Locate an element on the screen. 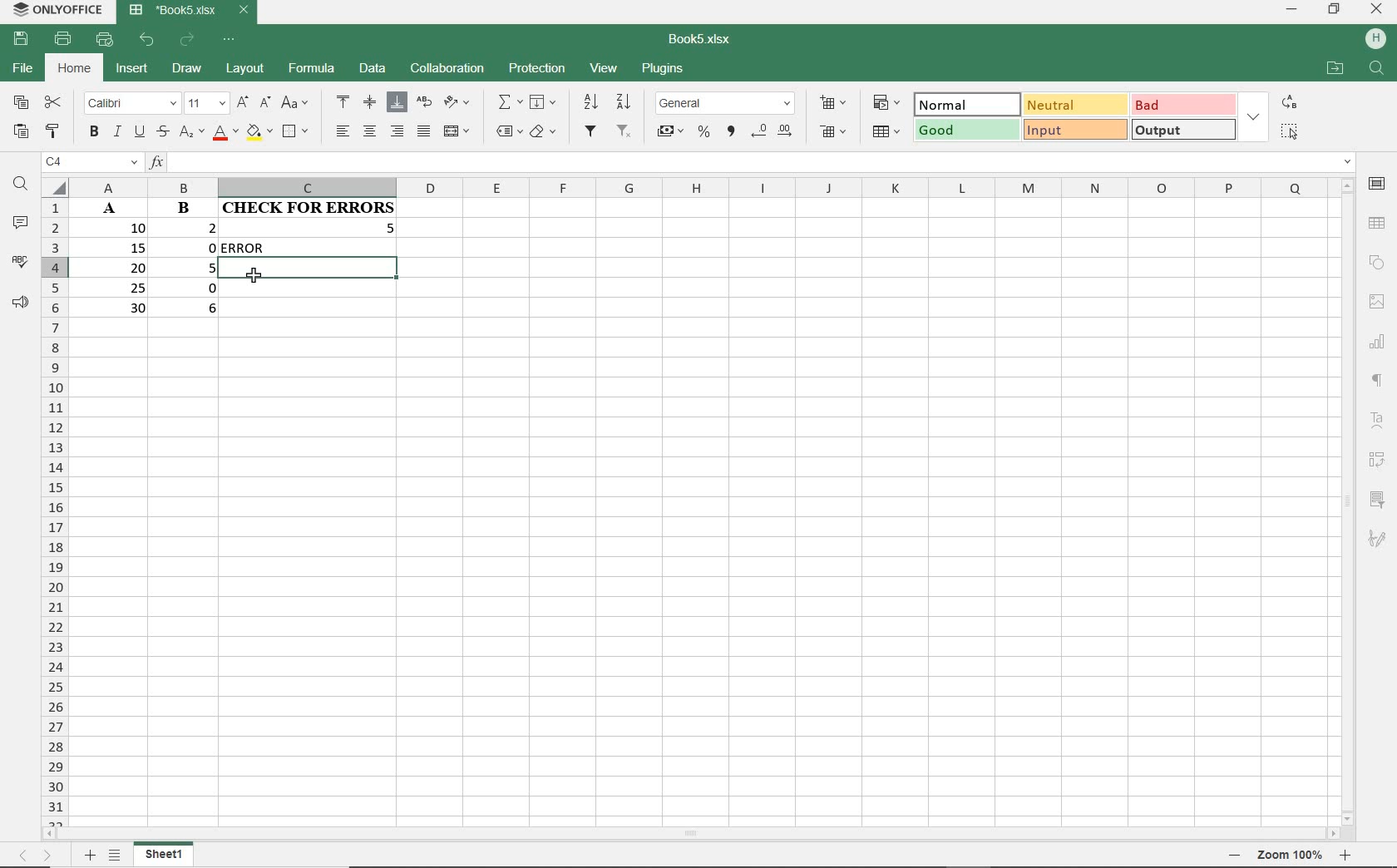  DRAW is located at coordinates (188, 71).